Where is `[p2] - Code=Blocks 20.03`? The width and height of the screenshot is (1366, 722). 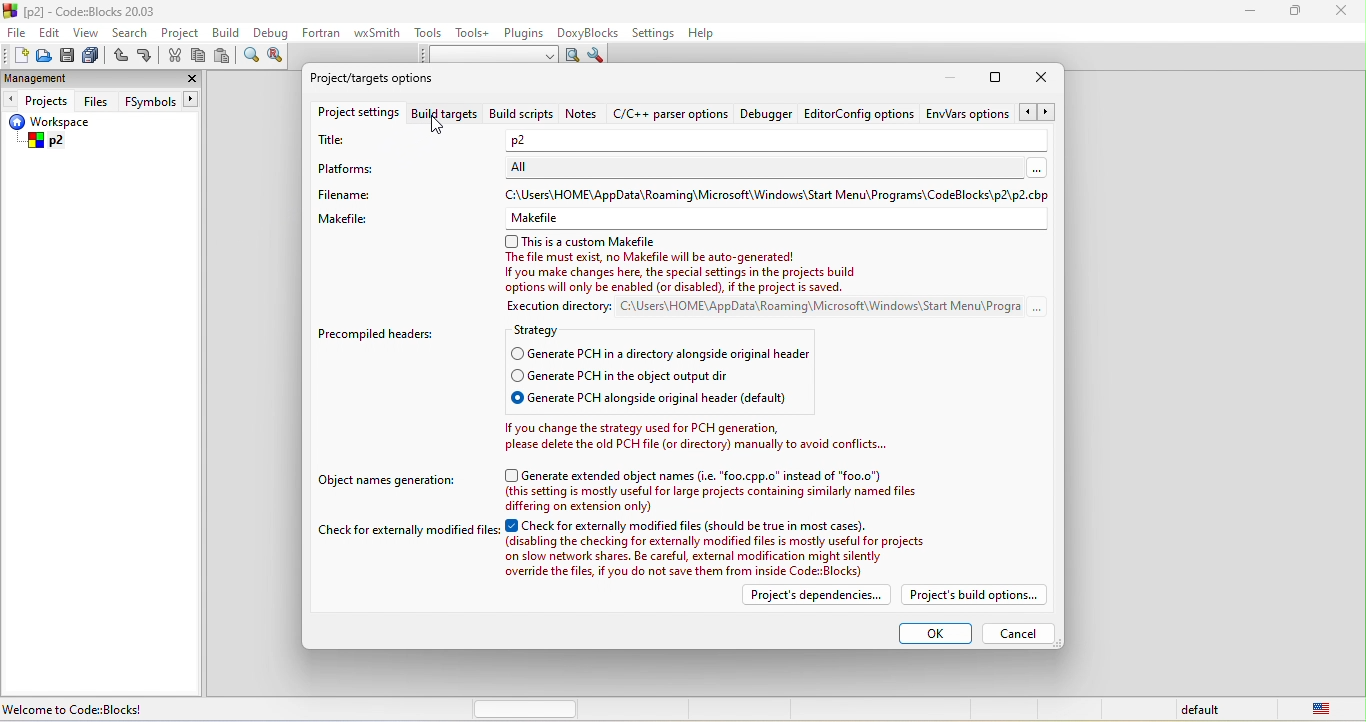 [p2] - Code=Blocks 20.03 is located at coordinates (88, 12).